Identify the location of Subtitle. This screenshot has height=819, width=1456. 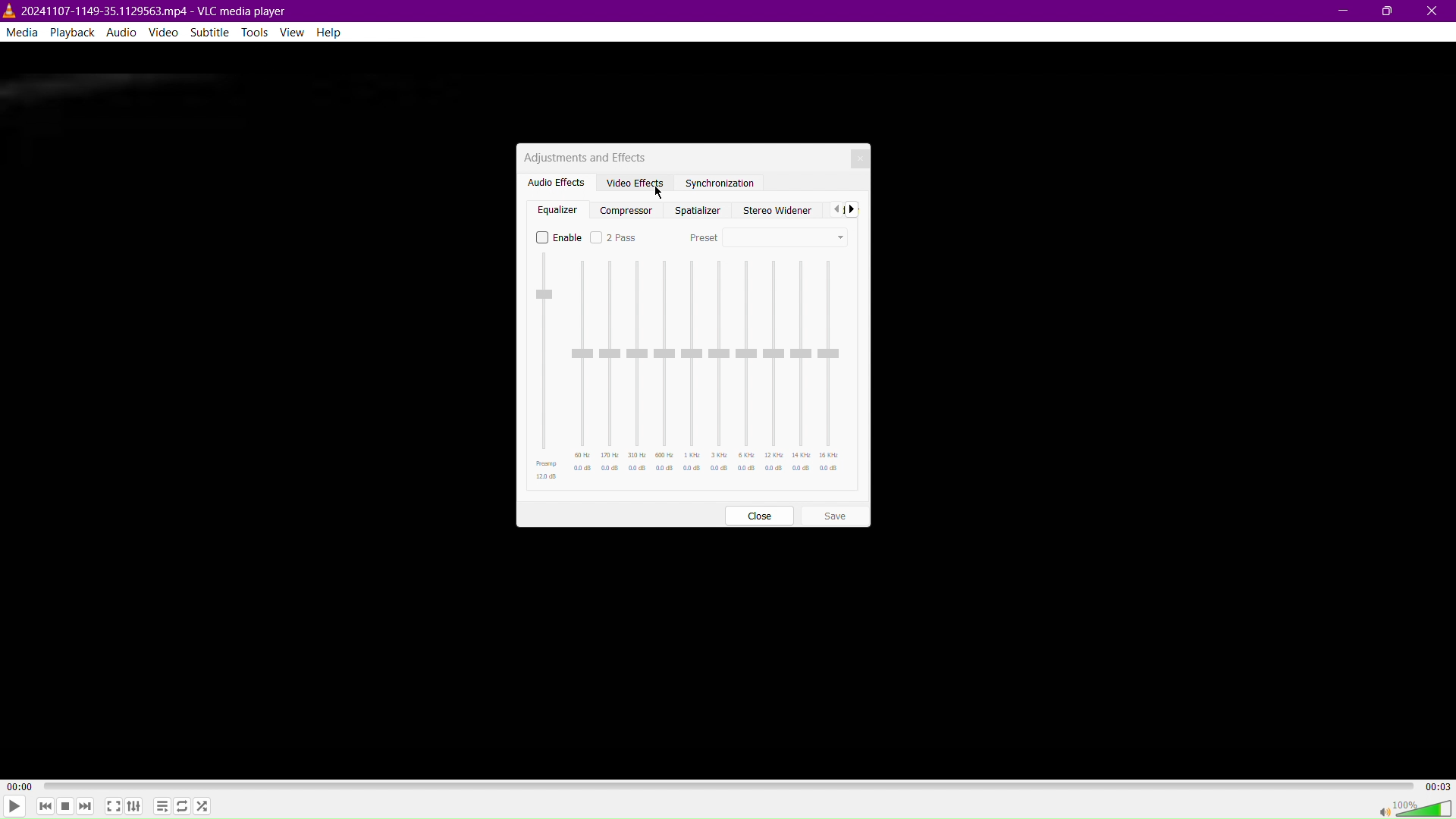
(211, 32).